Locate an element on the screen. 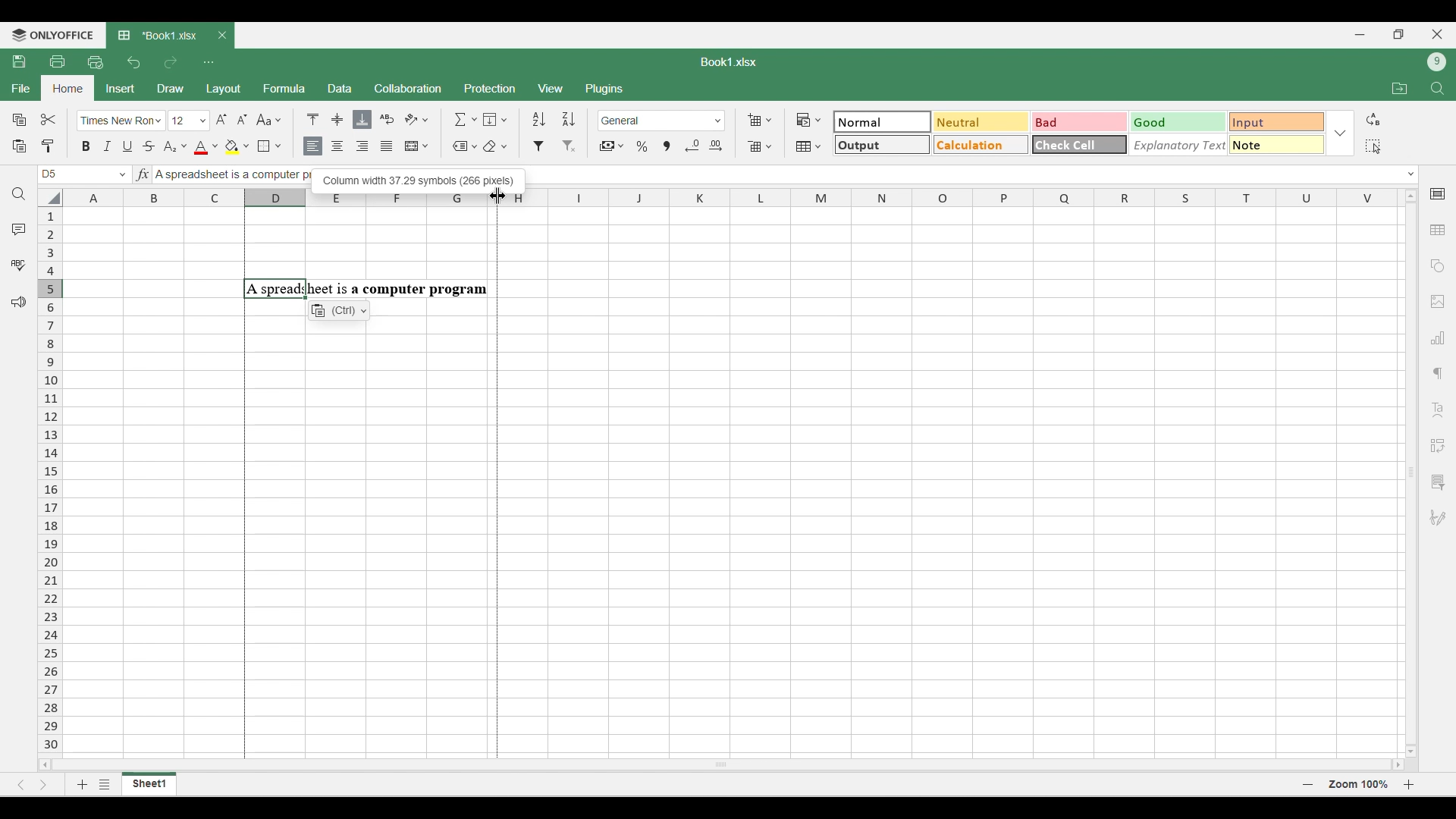  Zoom 100% is located at coordinates (1358, 783).